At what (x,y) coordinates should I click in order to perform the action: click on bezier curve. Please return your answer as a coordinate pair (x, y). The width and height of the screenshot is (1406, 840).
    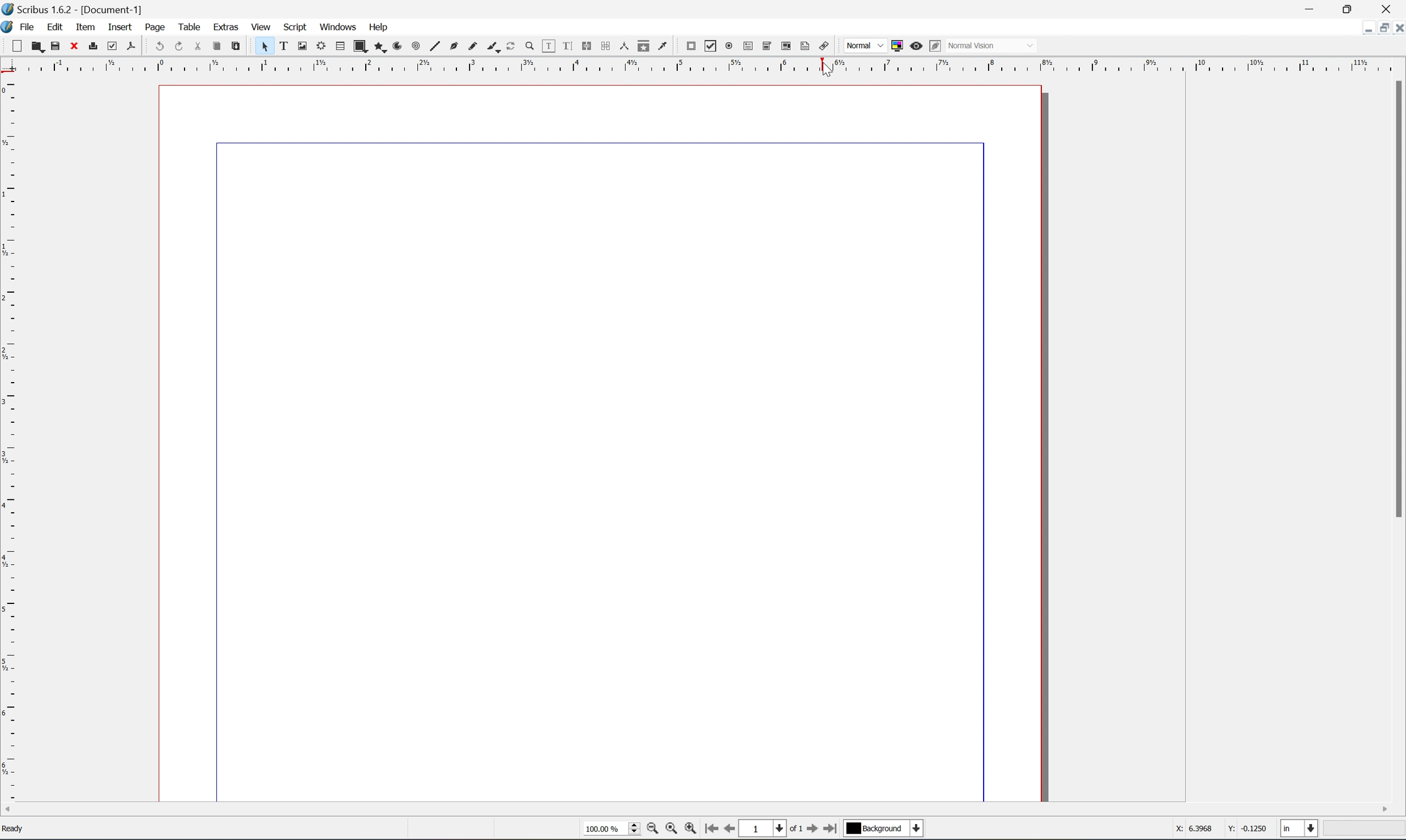
    Looking at the image, I should click on (455, 48).